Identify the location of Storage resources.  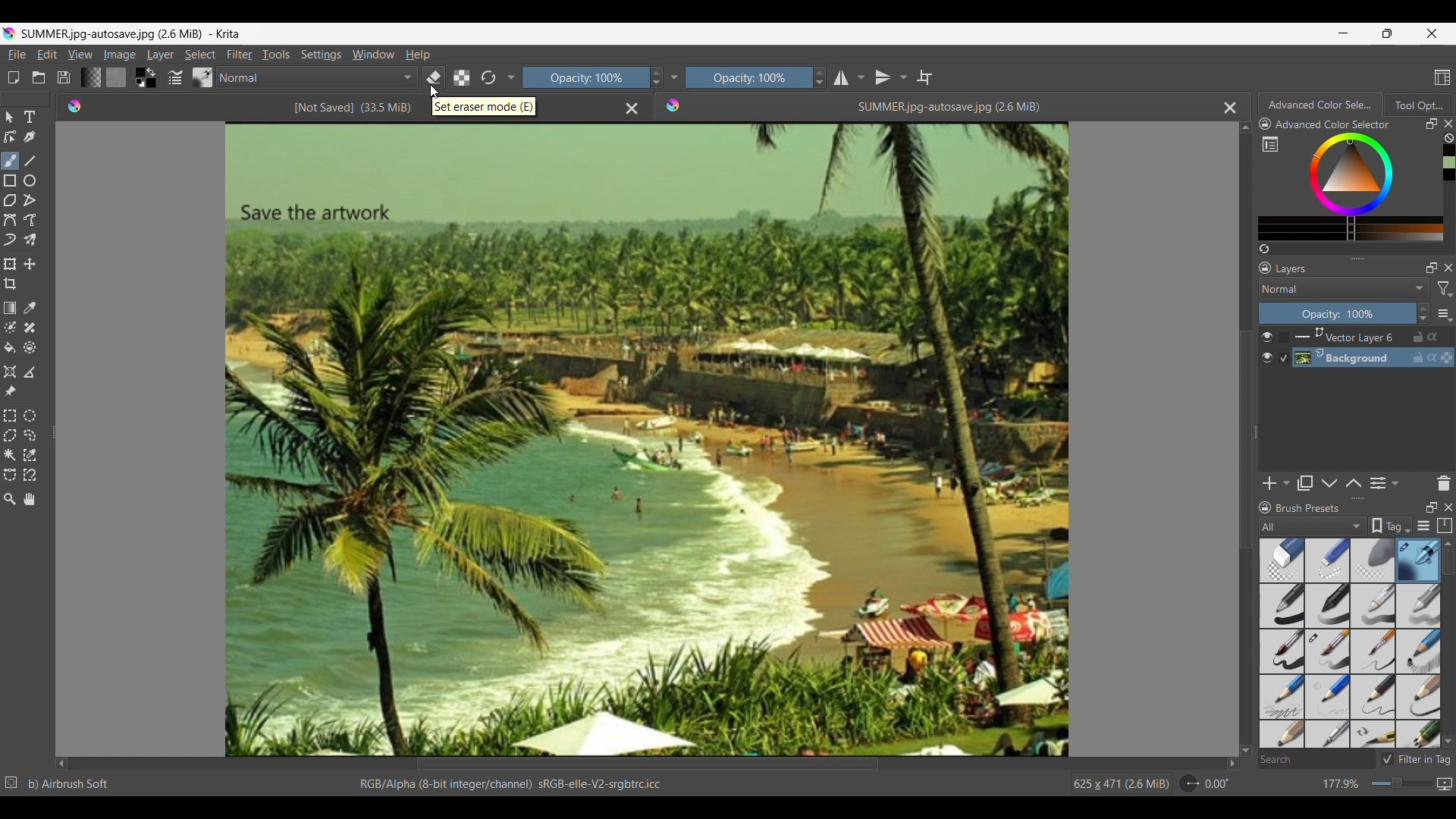
(1443, 526).